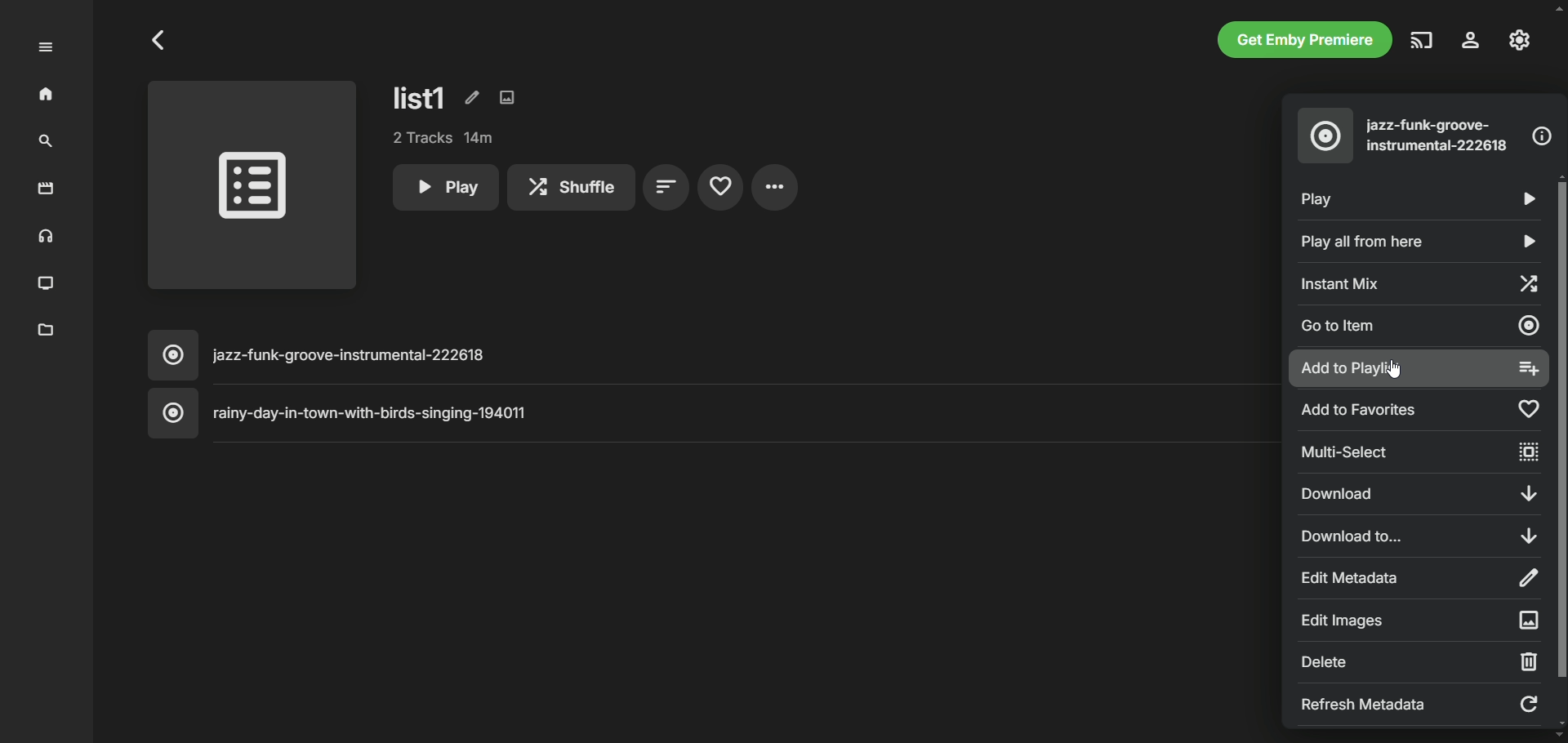  I want to click on TV shows, so click(47, 284).